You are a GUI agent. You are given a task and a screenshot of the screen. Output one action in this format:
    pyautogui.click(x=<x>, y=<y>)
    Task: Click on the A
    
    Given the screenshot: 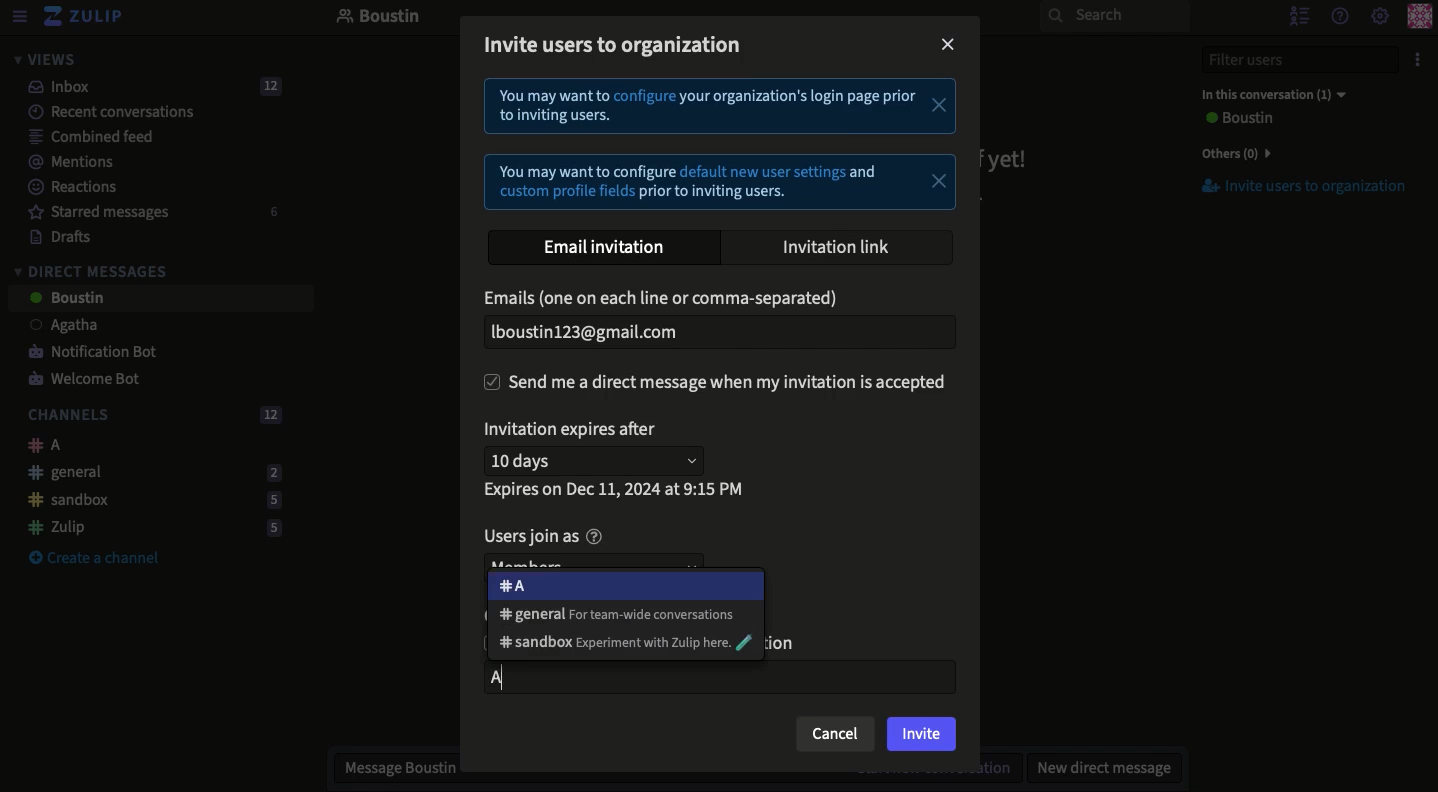 What is the action you would take?
    pyautogui.click(x=628, y=587)
    